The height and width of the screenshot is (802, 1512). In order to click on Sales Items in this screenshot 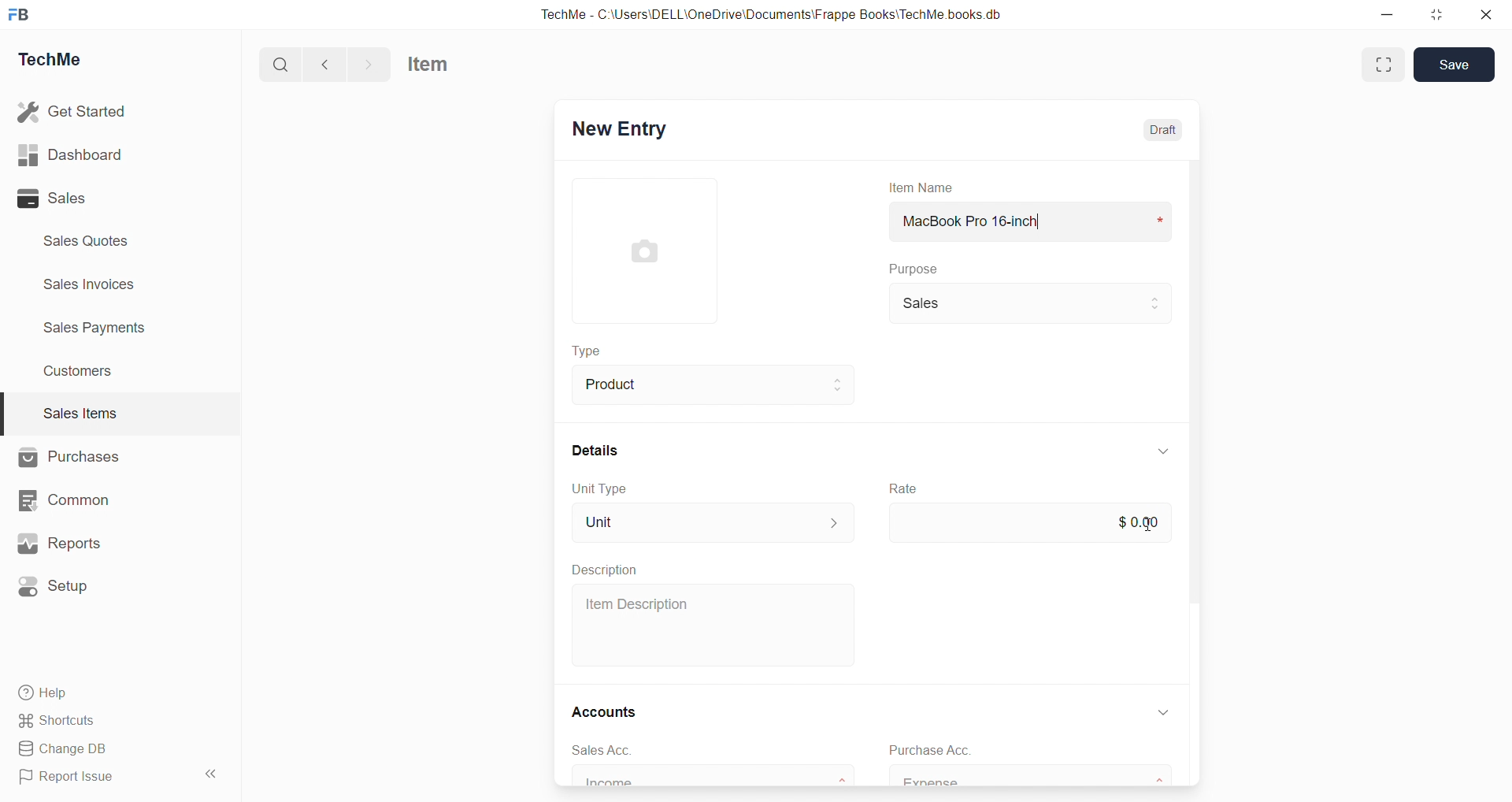, I will do `click(80, 413)`.